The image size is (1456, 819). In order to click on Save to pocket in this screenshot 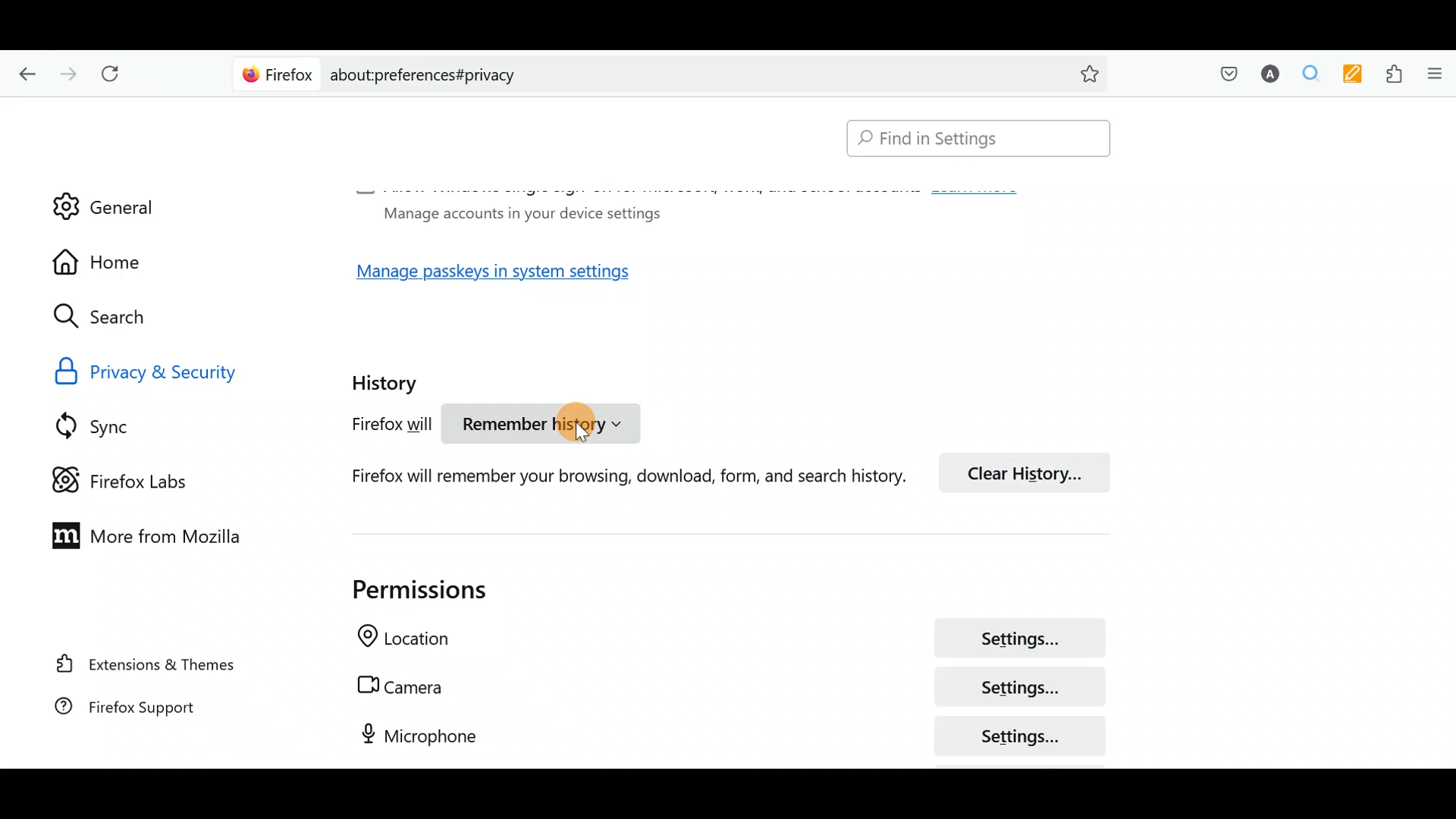, I will do `click(1222, 73)`.